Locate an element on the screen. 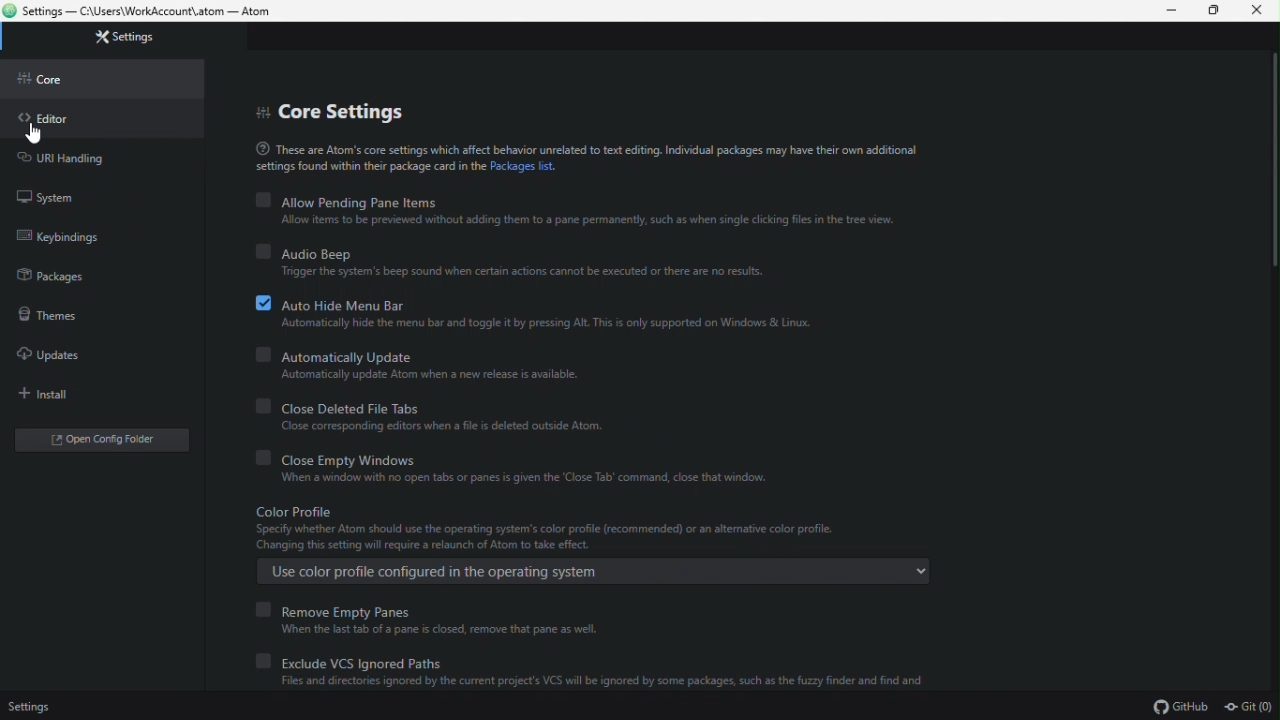 This screenshot has width=1280, height=720. Minimize is located at coordinates (1167, 13).